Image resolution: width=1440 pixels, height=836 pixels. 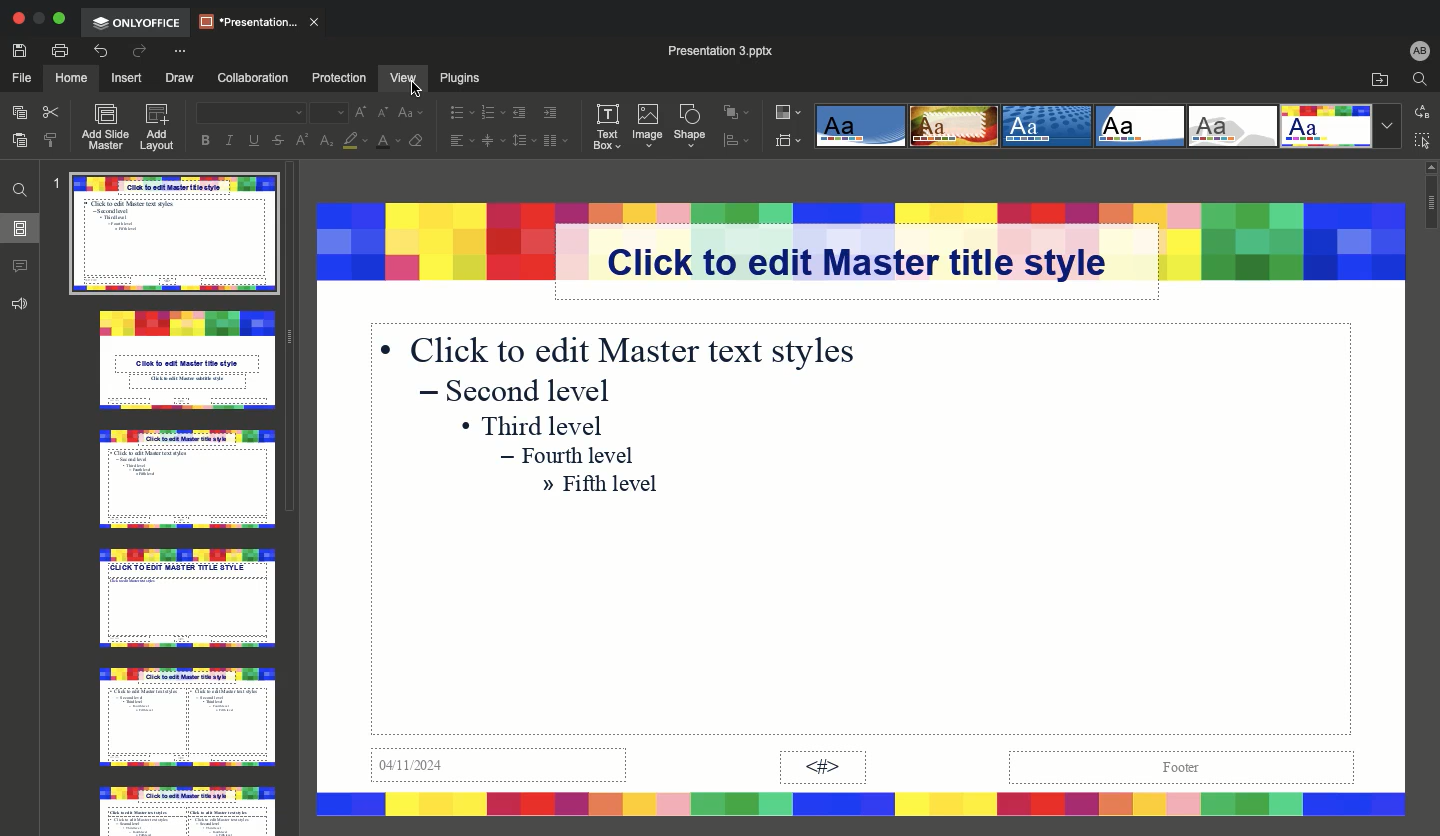 What do you see at coordinates (359, 112) in the screenshot?
I see `Increase font size` at bounding box center [359, 112].